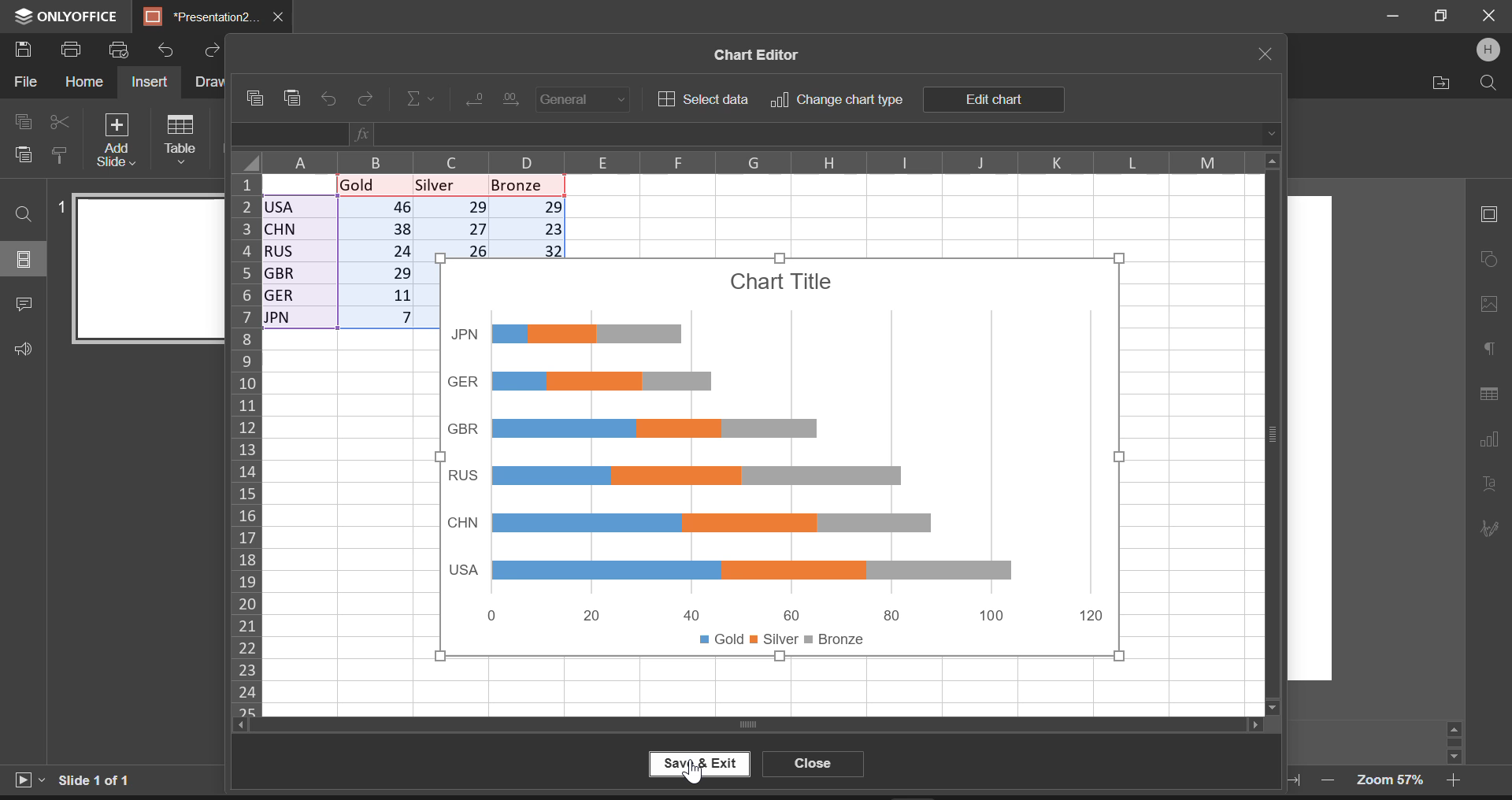  I want to click on Save, so click(27, 50).